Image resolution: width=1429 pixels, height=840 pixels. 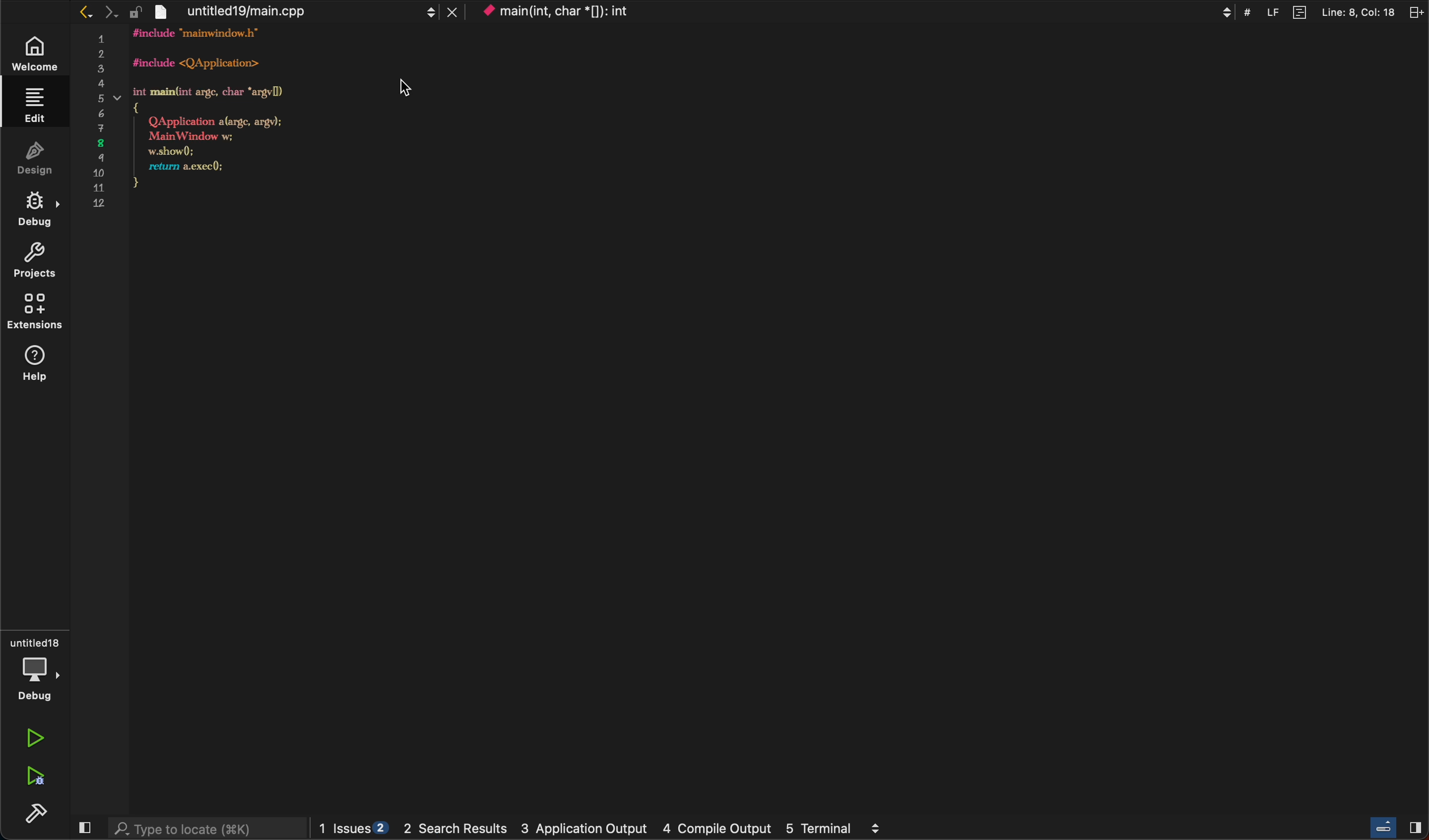 What do you see at coordinates (34, 212) in the screenshot?
I see `debug` at bounding box center [34, 212].